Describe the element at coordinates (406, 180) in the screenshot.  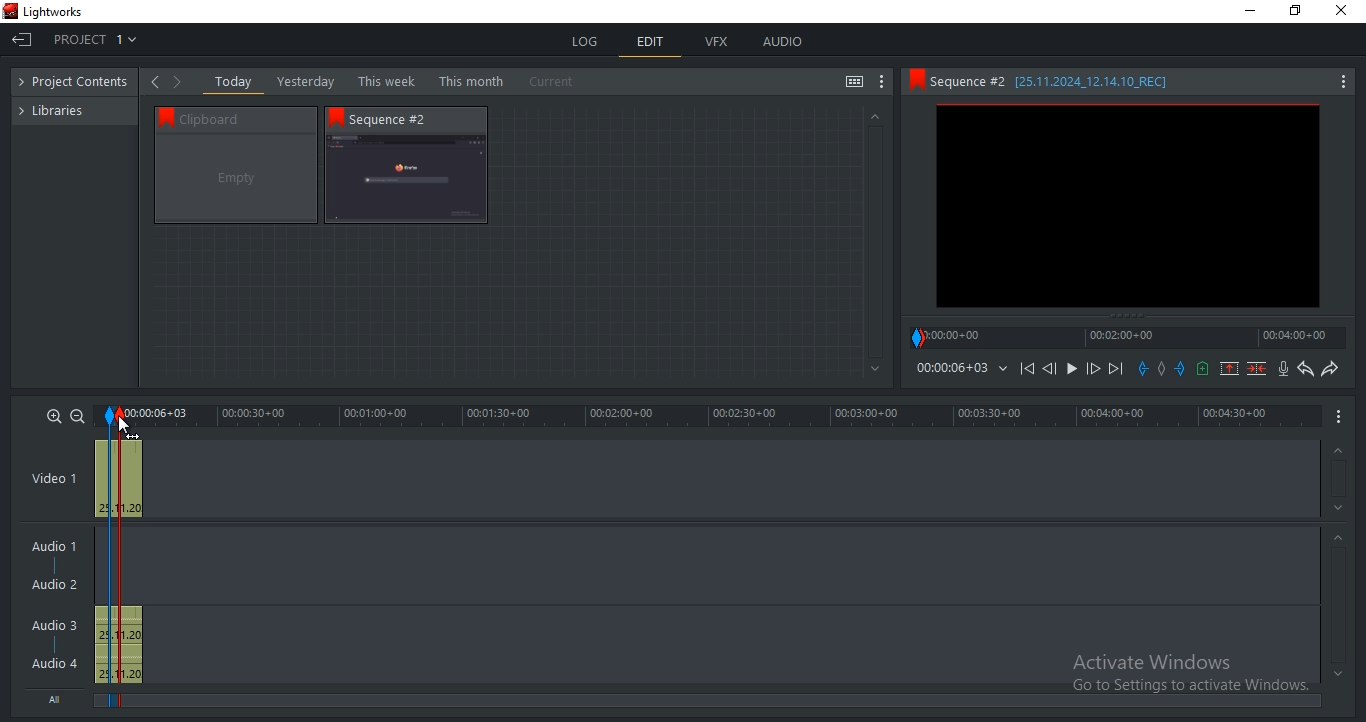
I see `sequence 2` at that location.